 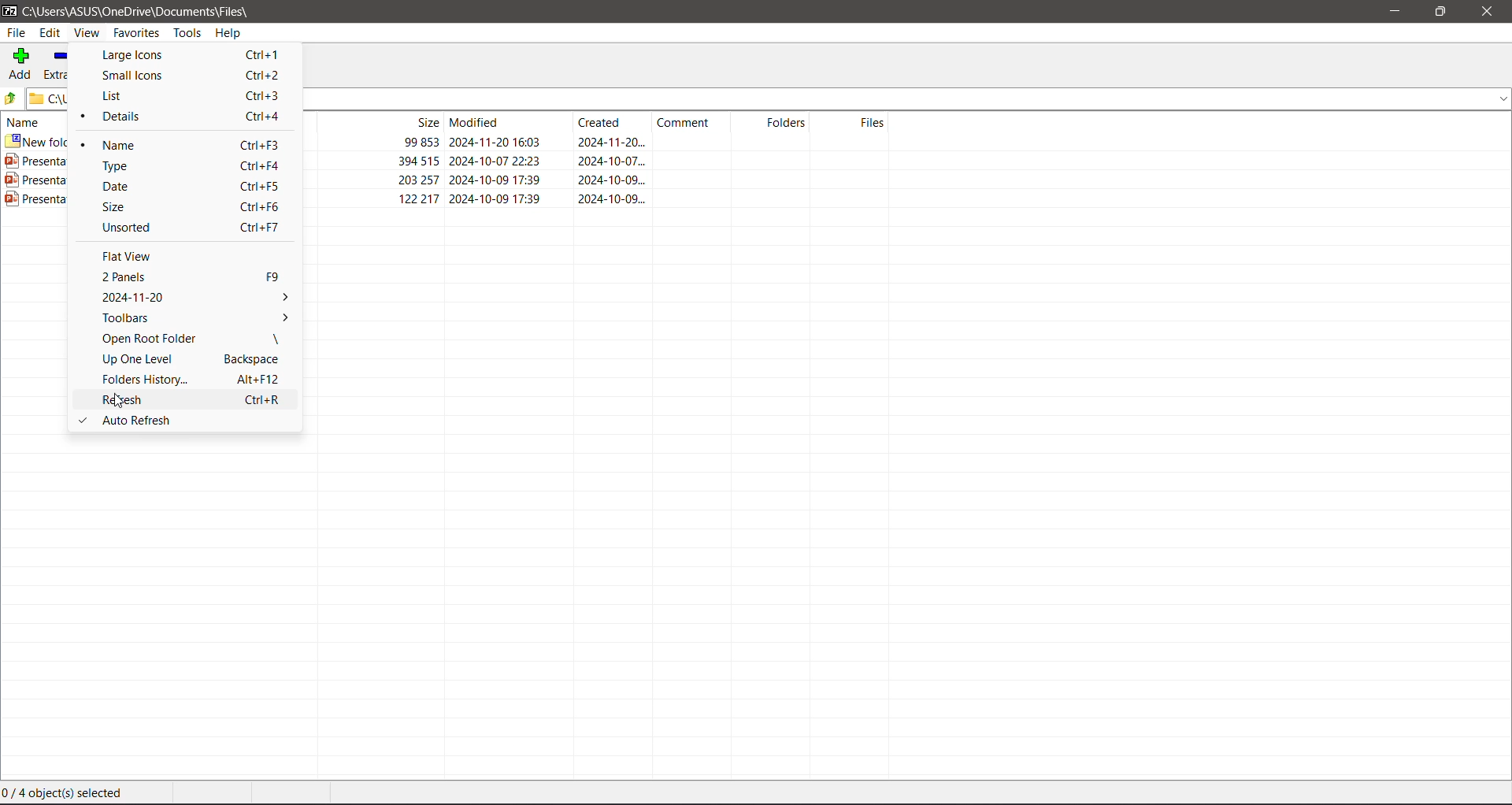 I want to click on Ctrl+F7, so click(x=265, y=227).